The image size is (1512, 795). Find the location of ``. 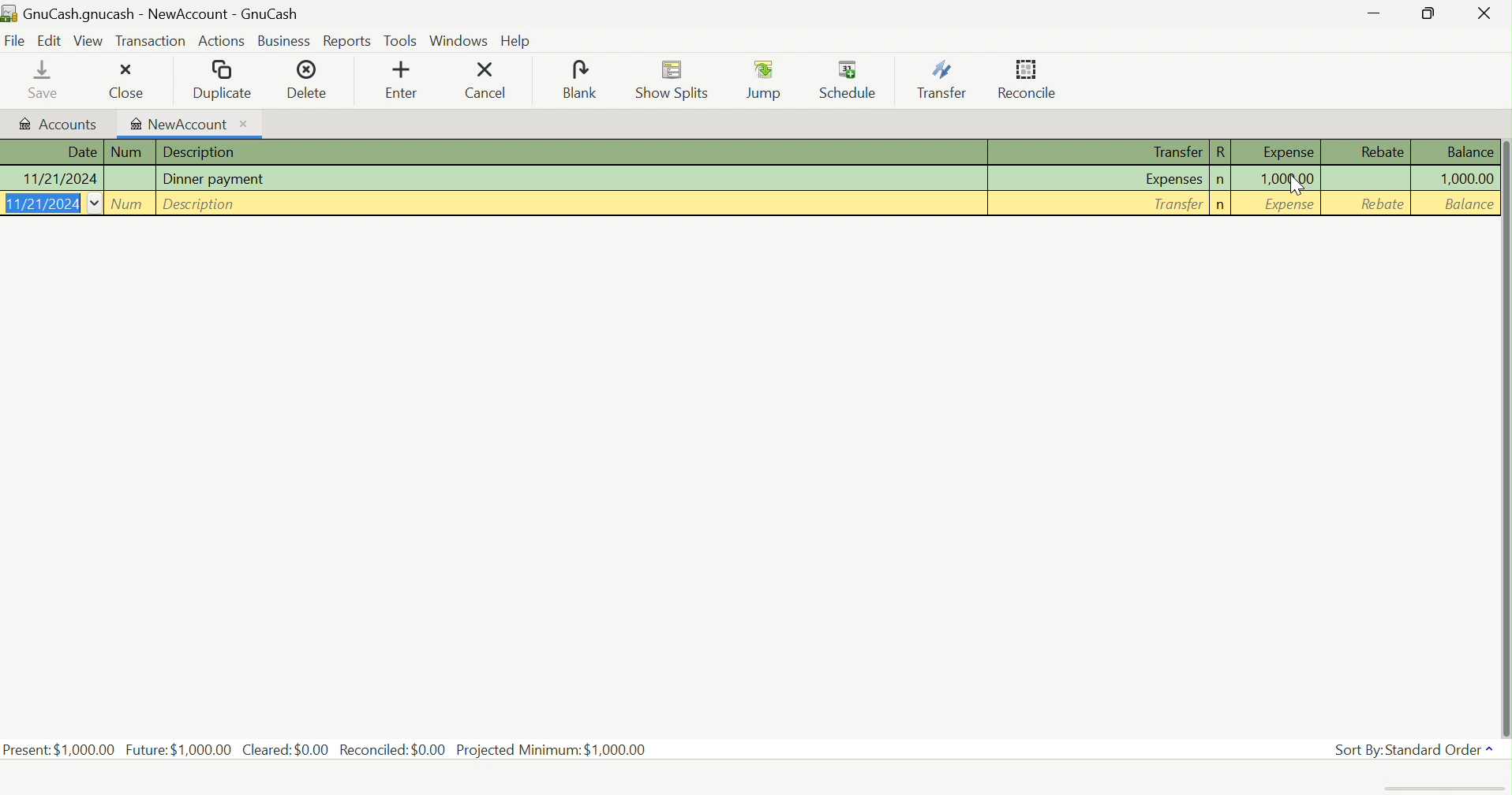

 is located at coordinates (83, 150).